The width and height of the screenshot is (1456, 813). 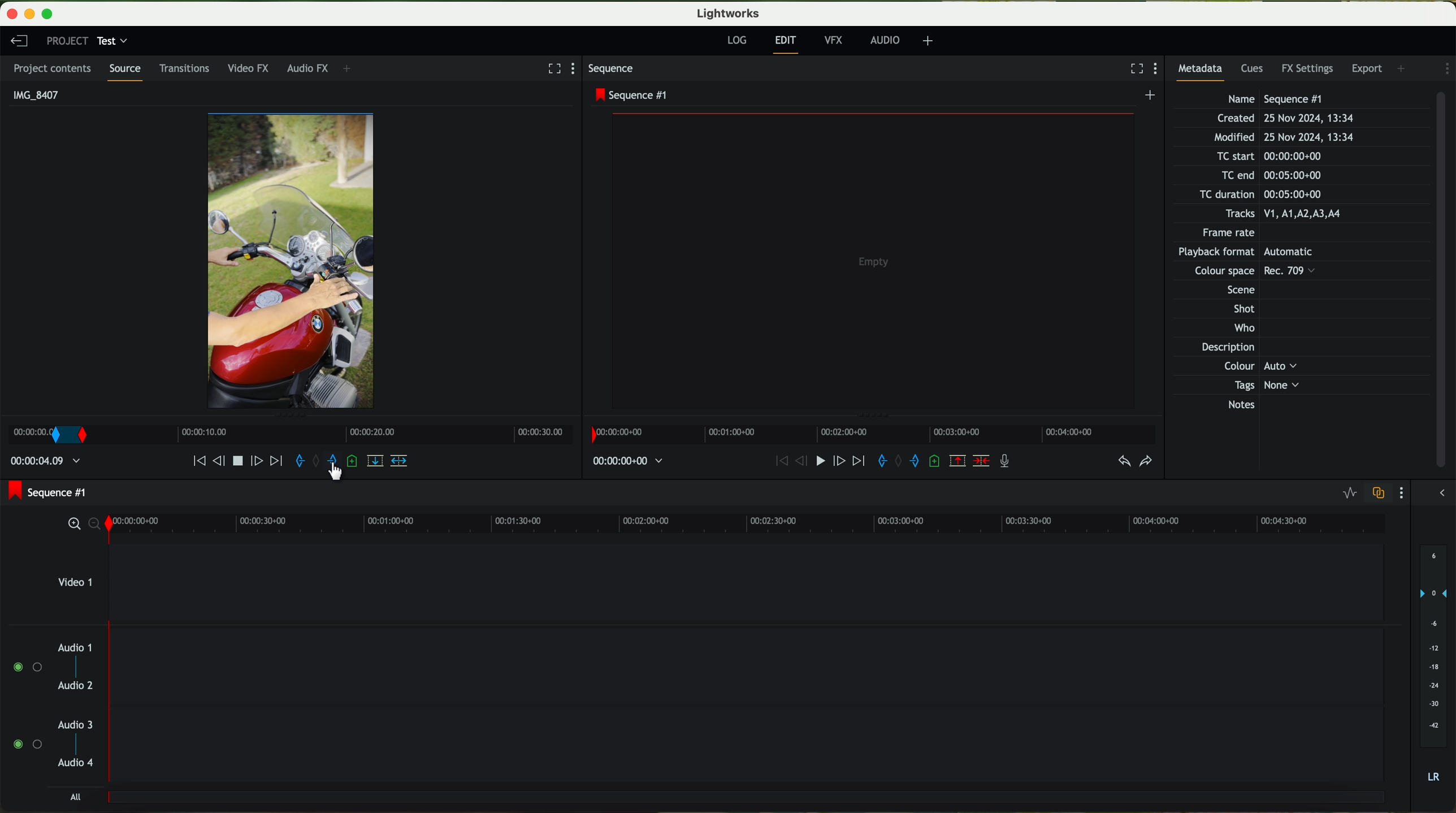 I want to click on video, so click(x=293, y=261).